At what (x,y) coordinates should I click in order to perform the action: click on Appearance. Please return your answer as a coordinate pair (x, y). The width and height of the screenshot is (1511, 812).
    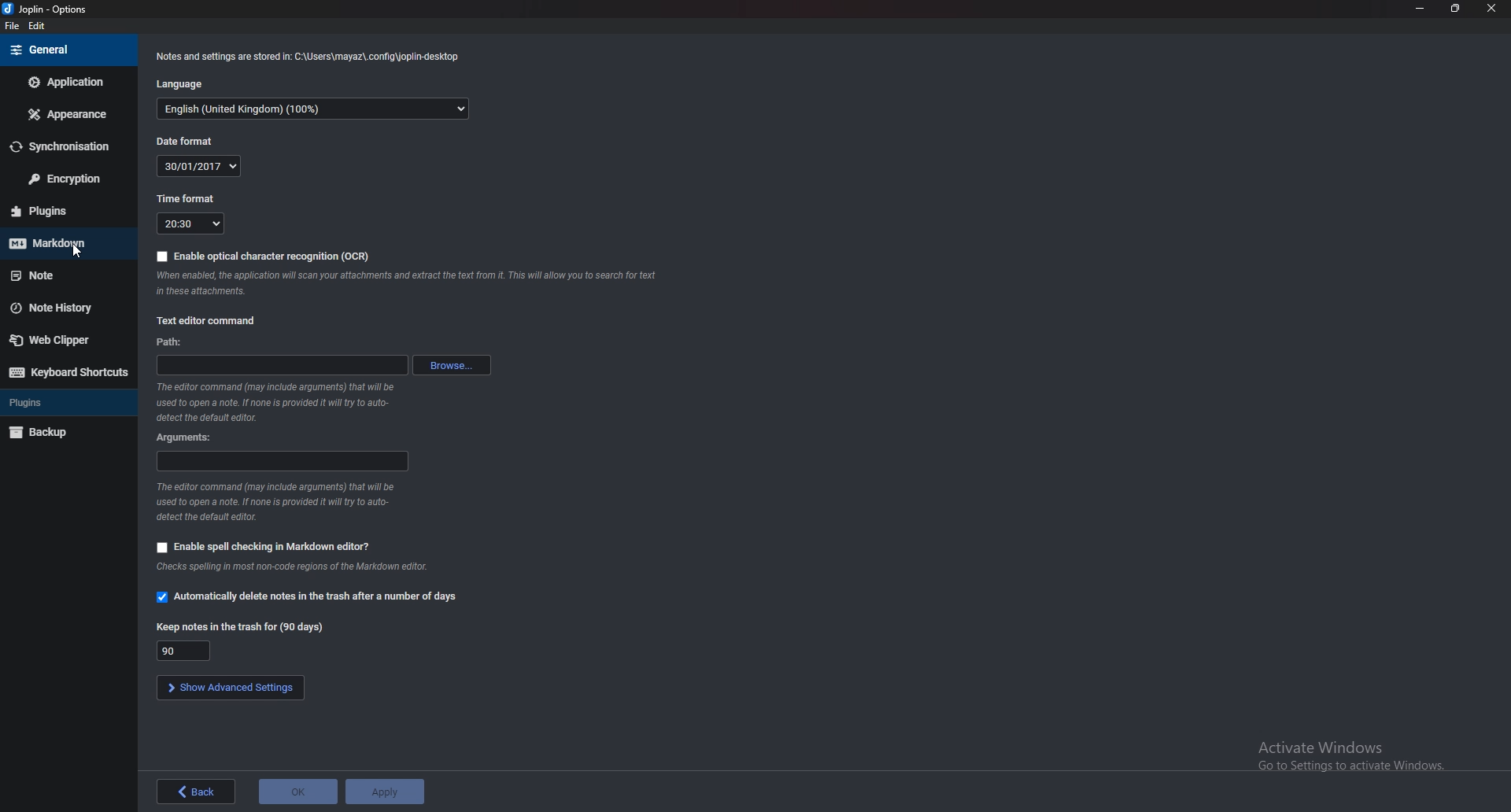
    Looking at the image, I should click on (64, 113).